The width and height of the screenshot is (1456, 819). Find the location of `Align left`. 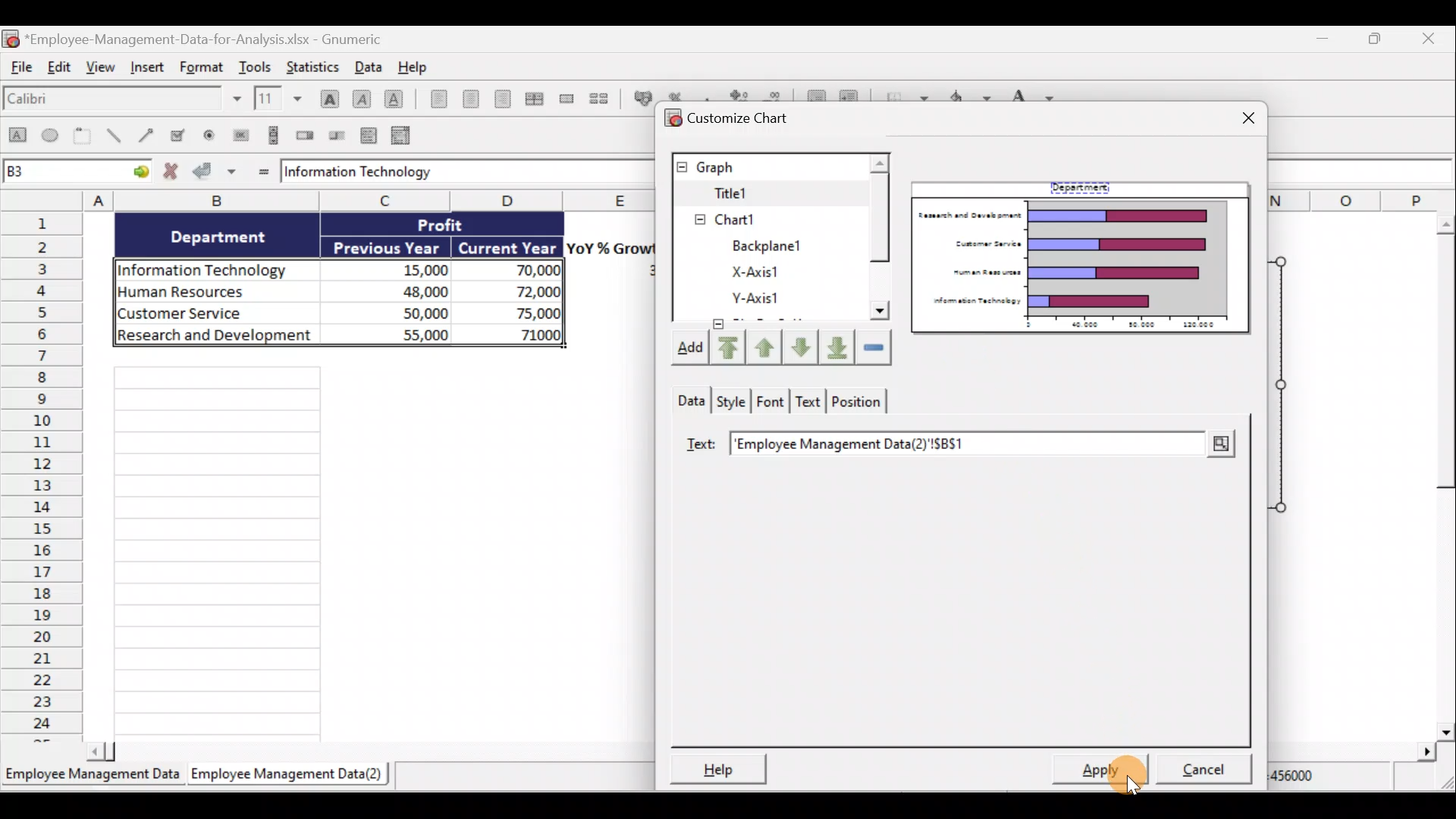

Align left is located at coordinates (434, 102).